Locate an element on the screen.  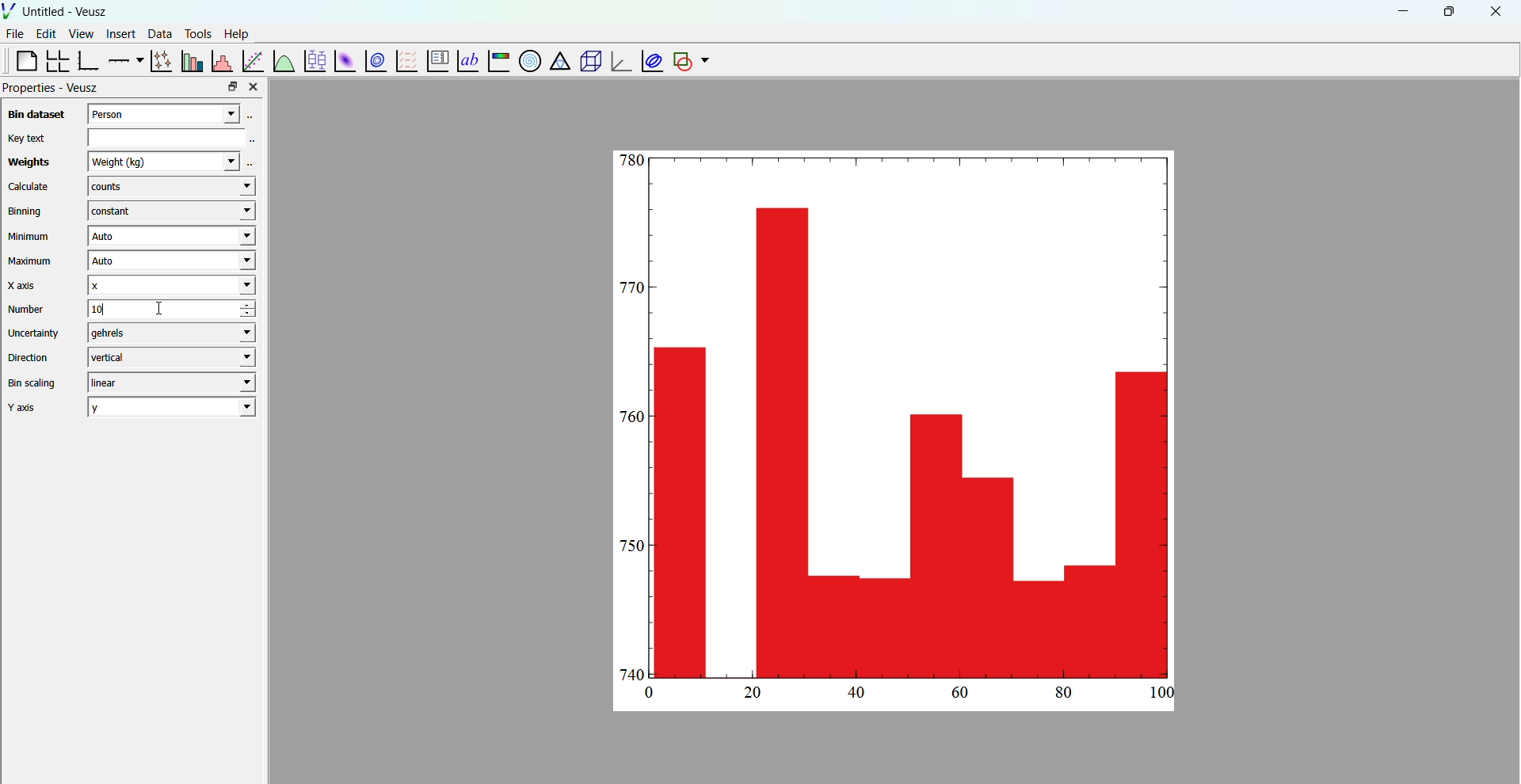
10 is located at coordinates (150, 309).